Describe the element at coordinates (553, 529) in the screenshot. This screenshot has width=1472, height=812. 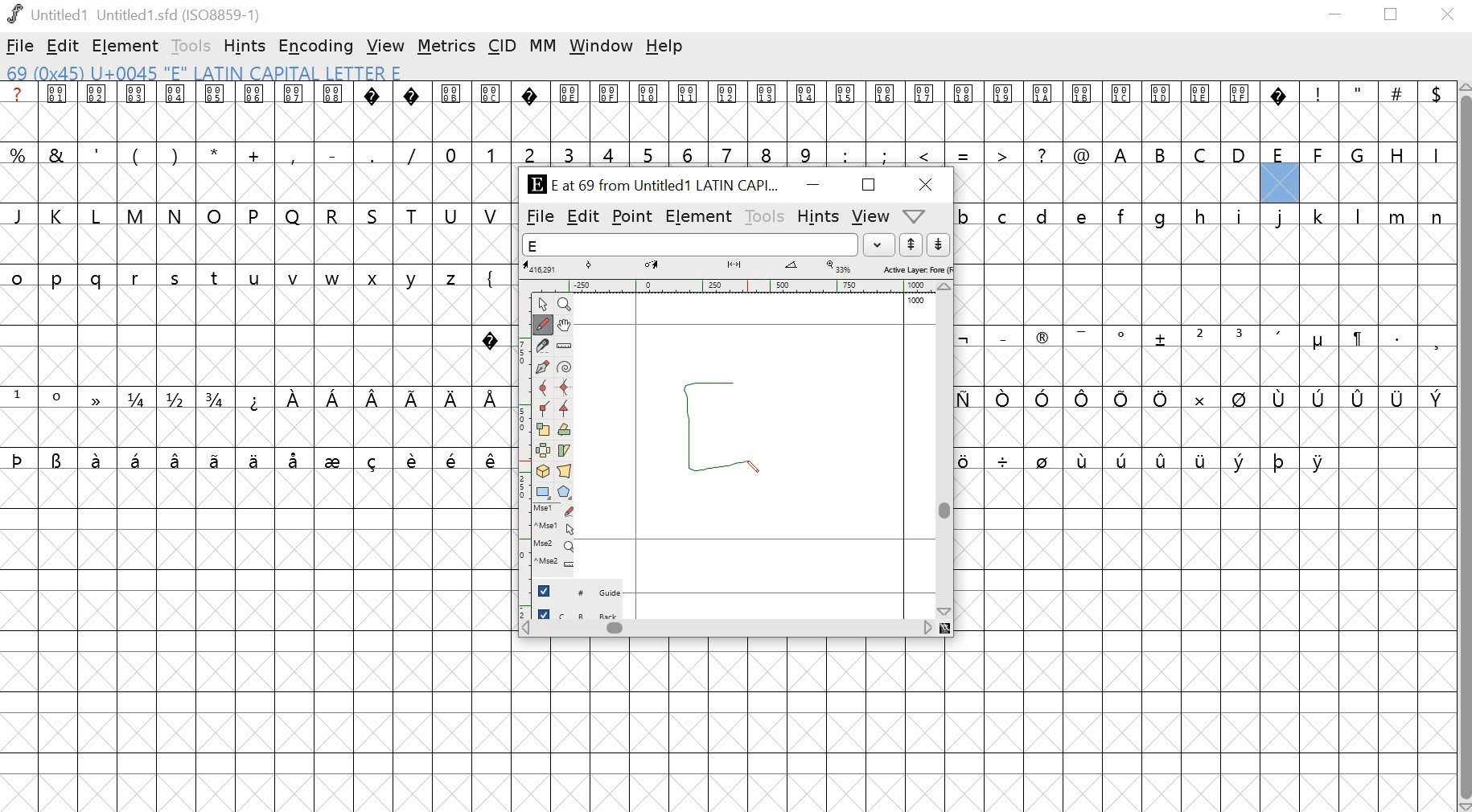
I see `Mouse left button + Ctrl` at that location.